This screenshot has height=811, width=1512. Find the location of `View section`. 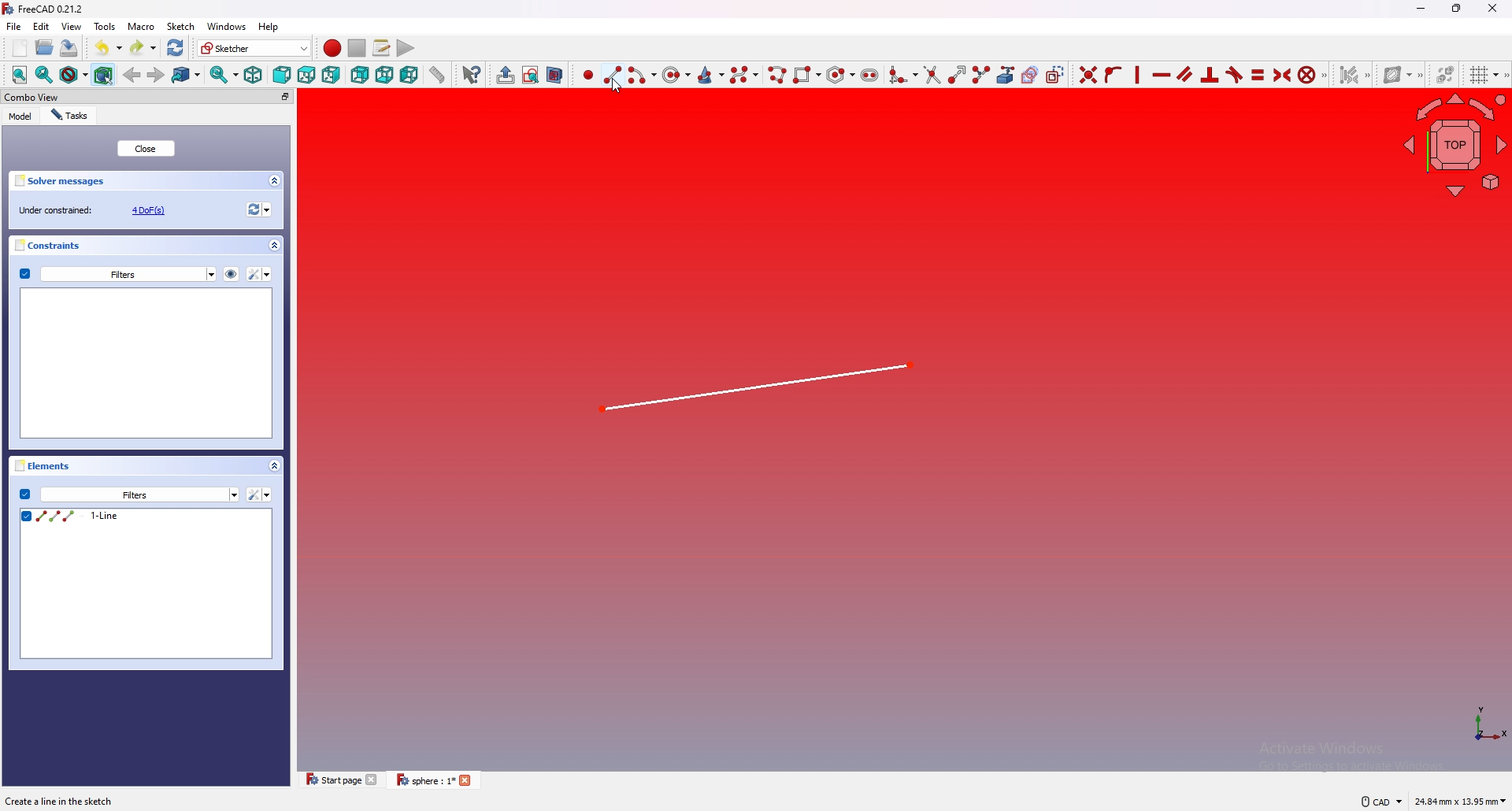

View section is located at coordinates (555, 74).